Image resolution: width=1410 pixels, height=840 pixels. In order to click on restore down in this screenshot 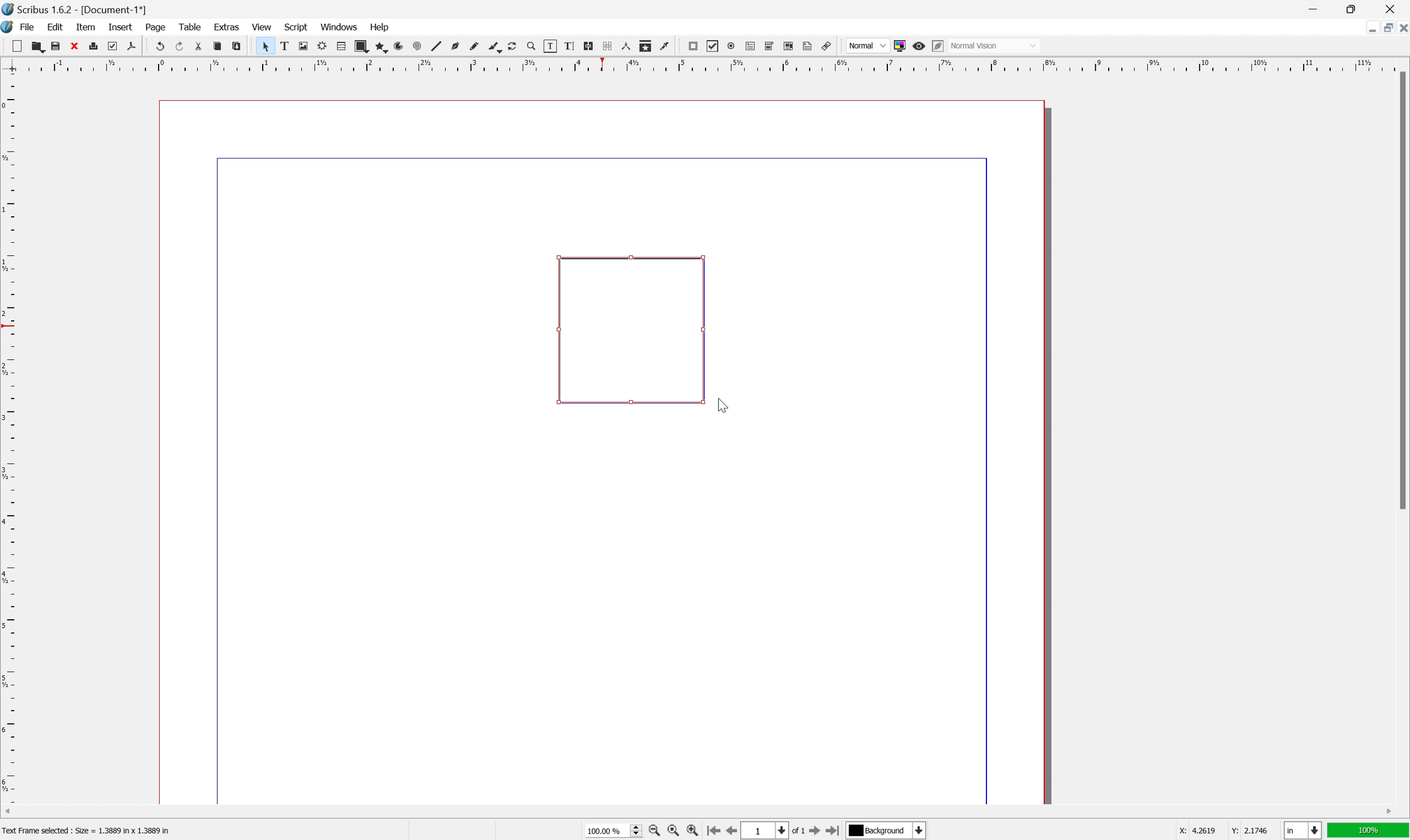, I will do `click(1383, 28)`.